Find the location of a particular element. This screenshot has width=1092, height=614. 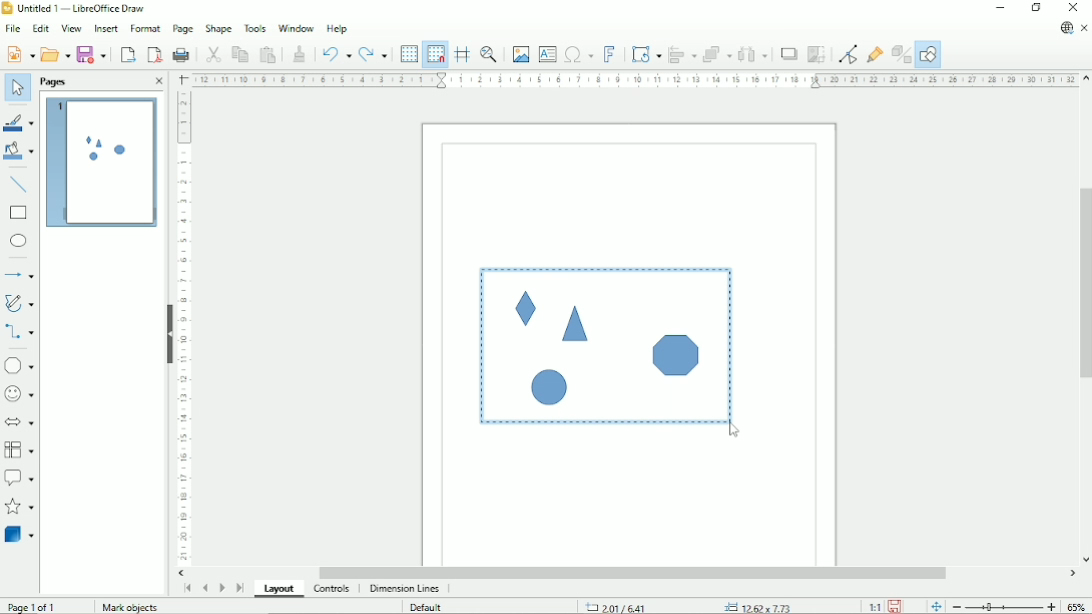

Tools is located at coordinates (255, 27).